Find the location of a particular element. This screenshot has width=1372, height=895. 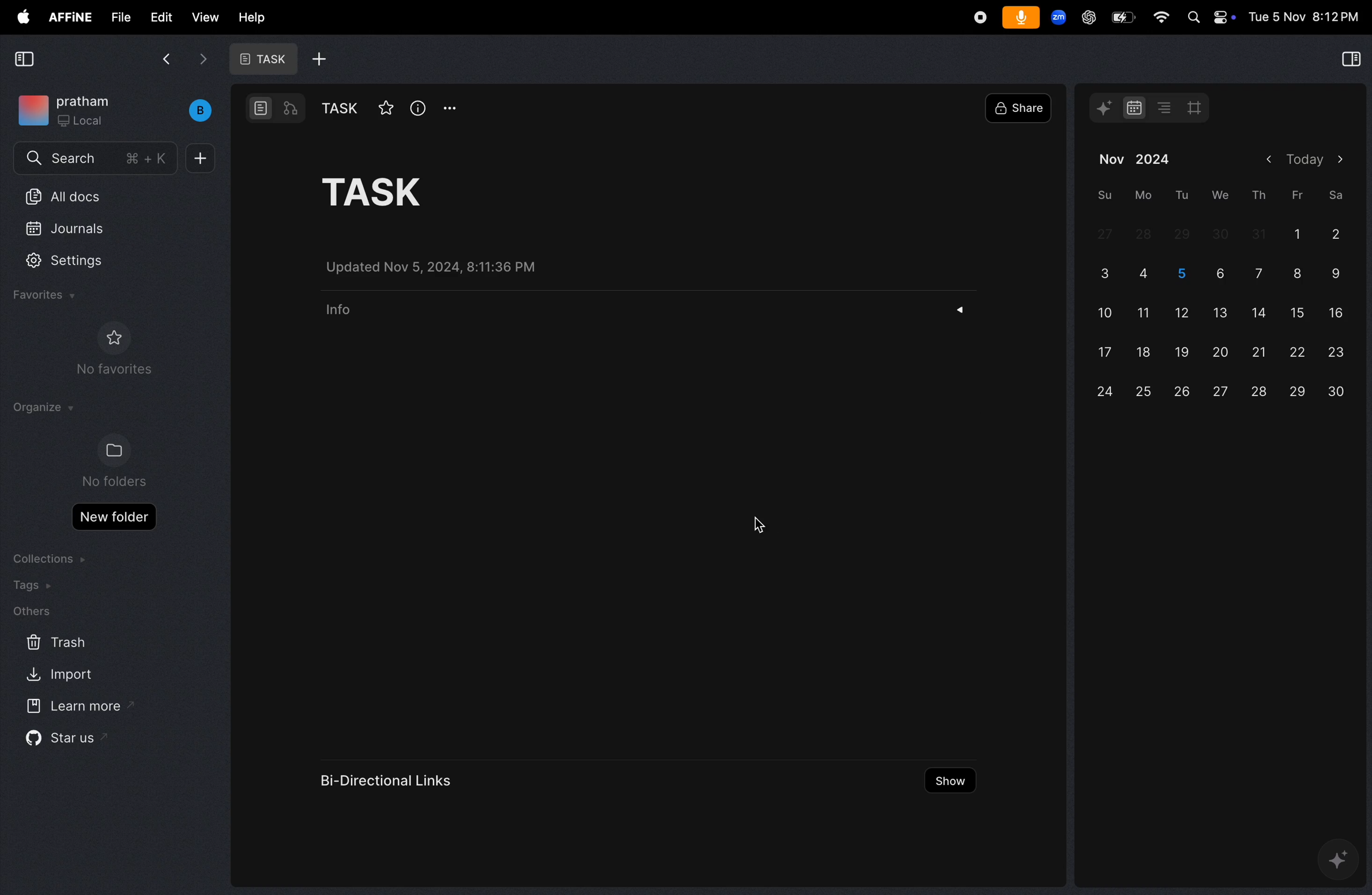

ai is located at coordinates (1337, 863).